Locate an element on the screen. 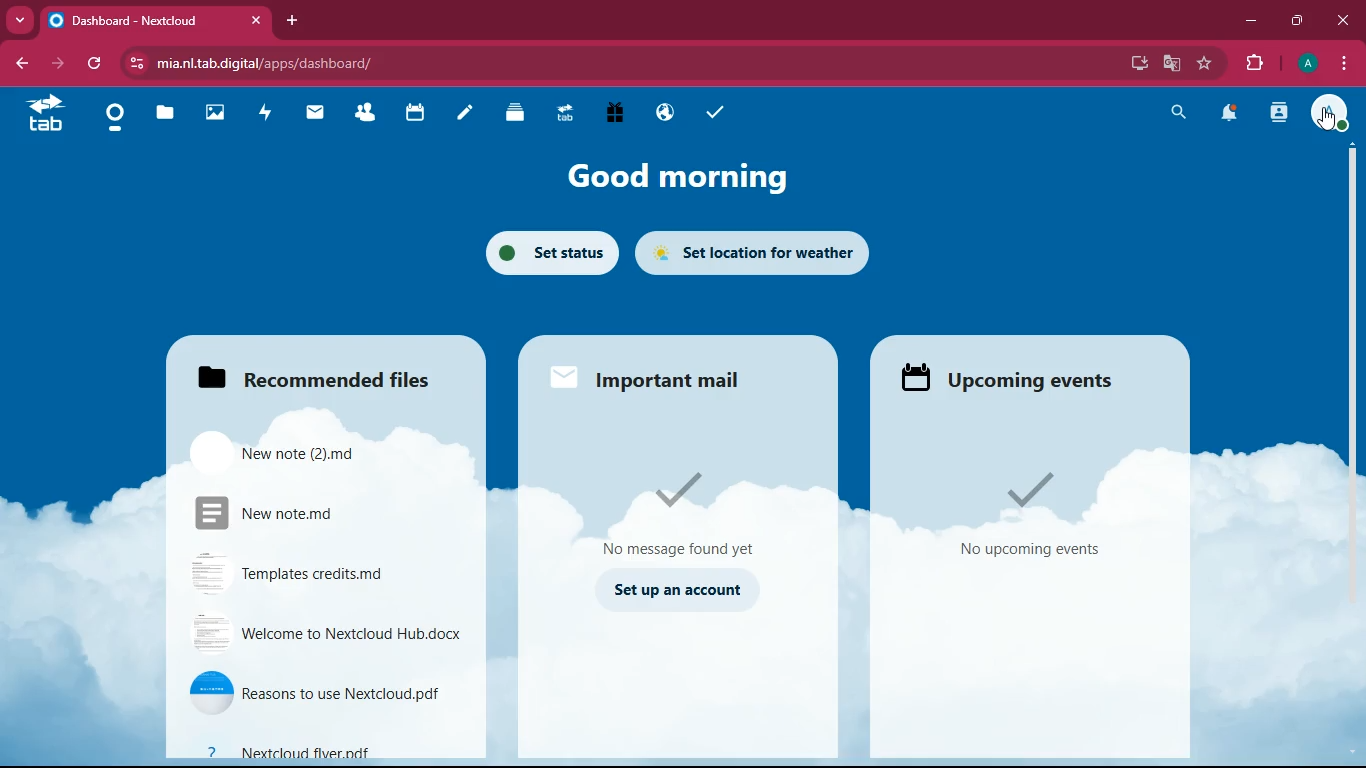  profile is located at coordinates (1309, 63).